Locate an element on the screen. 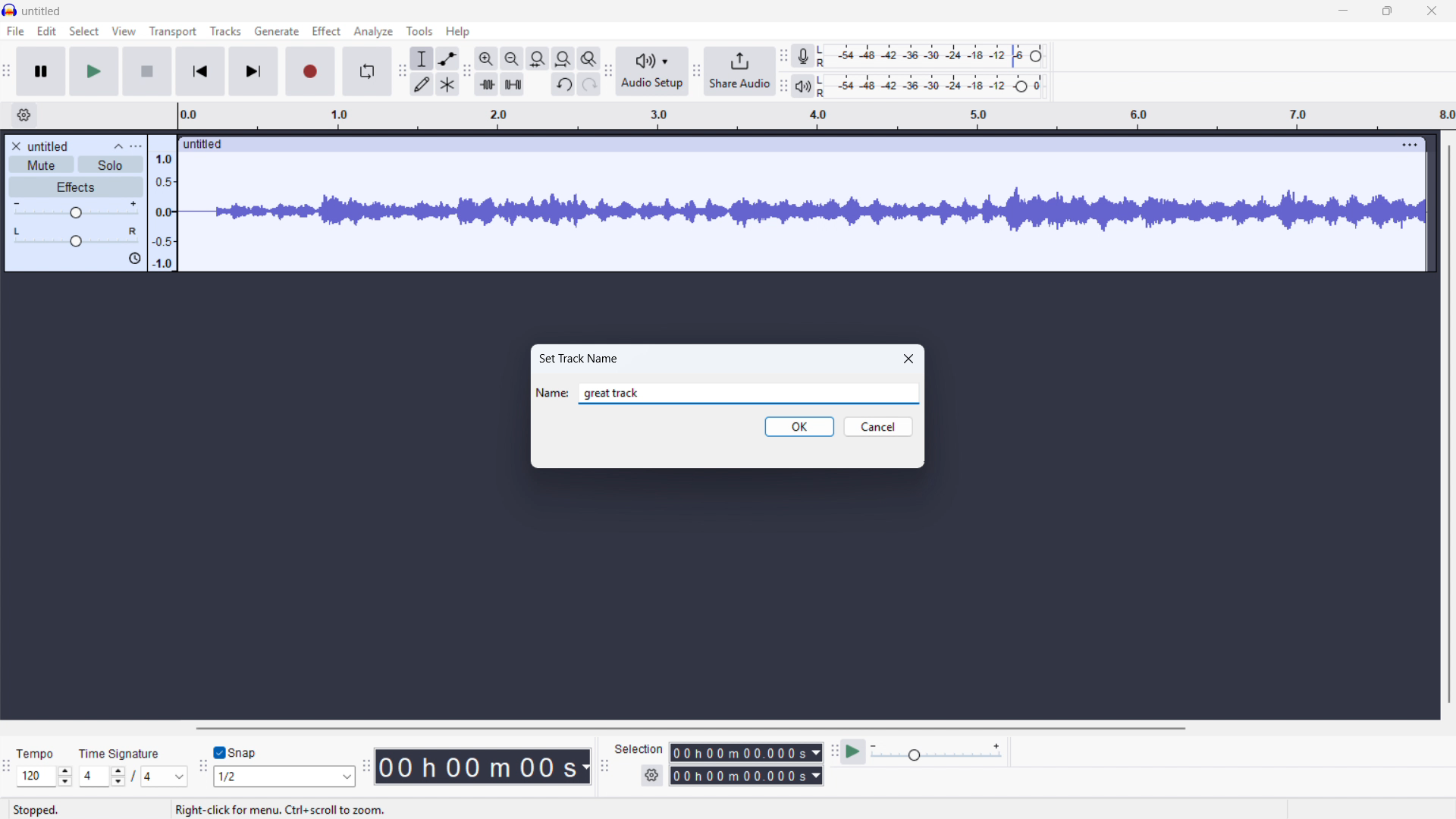 The height and width of the screenshot is (819, 1456). Gain  is located at coordinates (77, 209).